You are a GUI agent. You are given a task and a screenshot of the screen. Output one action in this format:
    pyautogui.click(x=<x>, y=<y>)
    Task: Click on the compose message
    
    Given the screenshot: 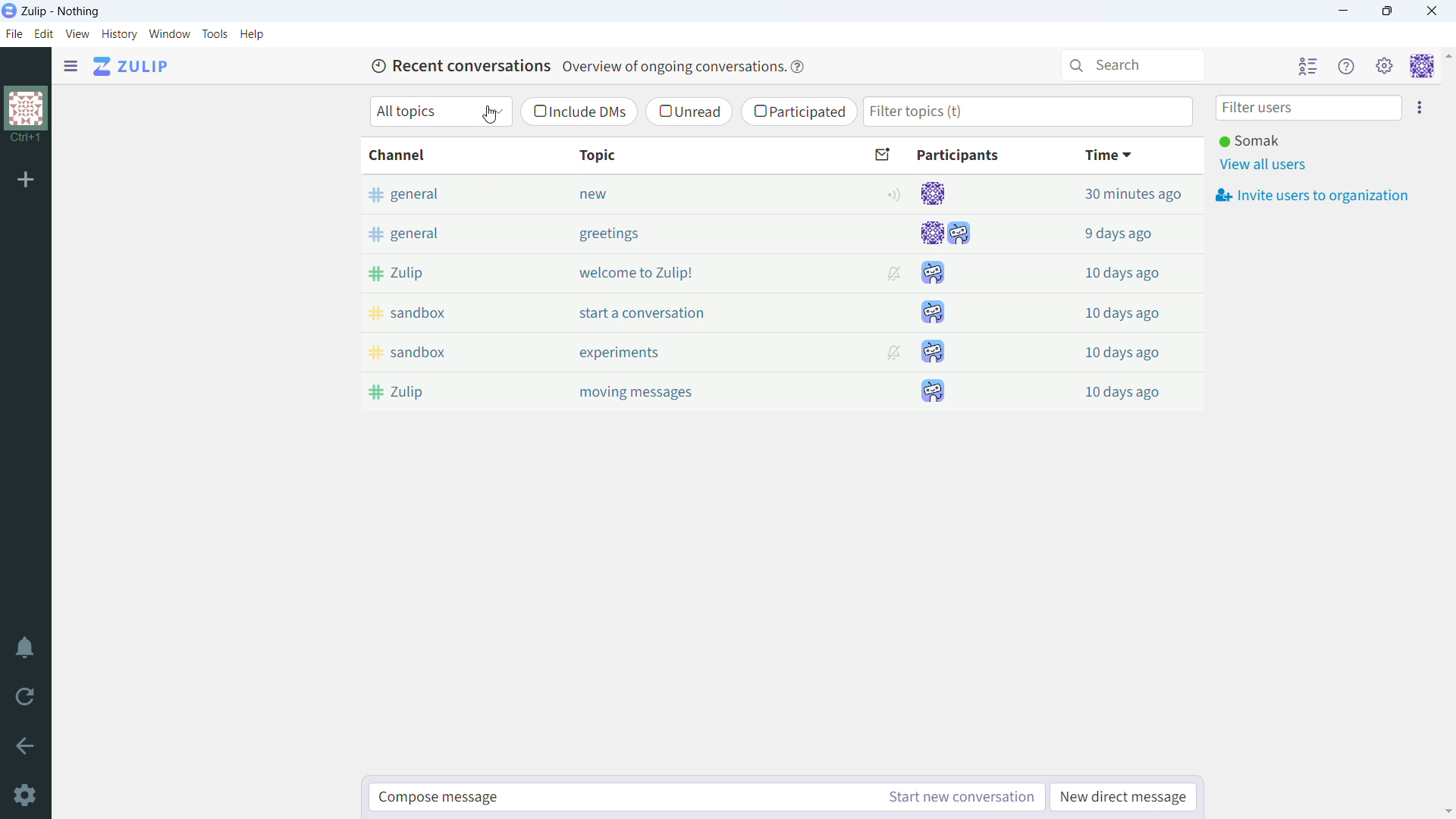 What is the action you would take?
    pyautogui.click(x=622, y=797)
    